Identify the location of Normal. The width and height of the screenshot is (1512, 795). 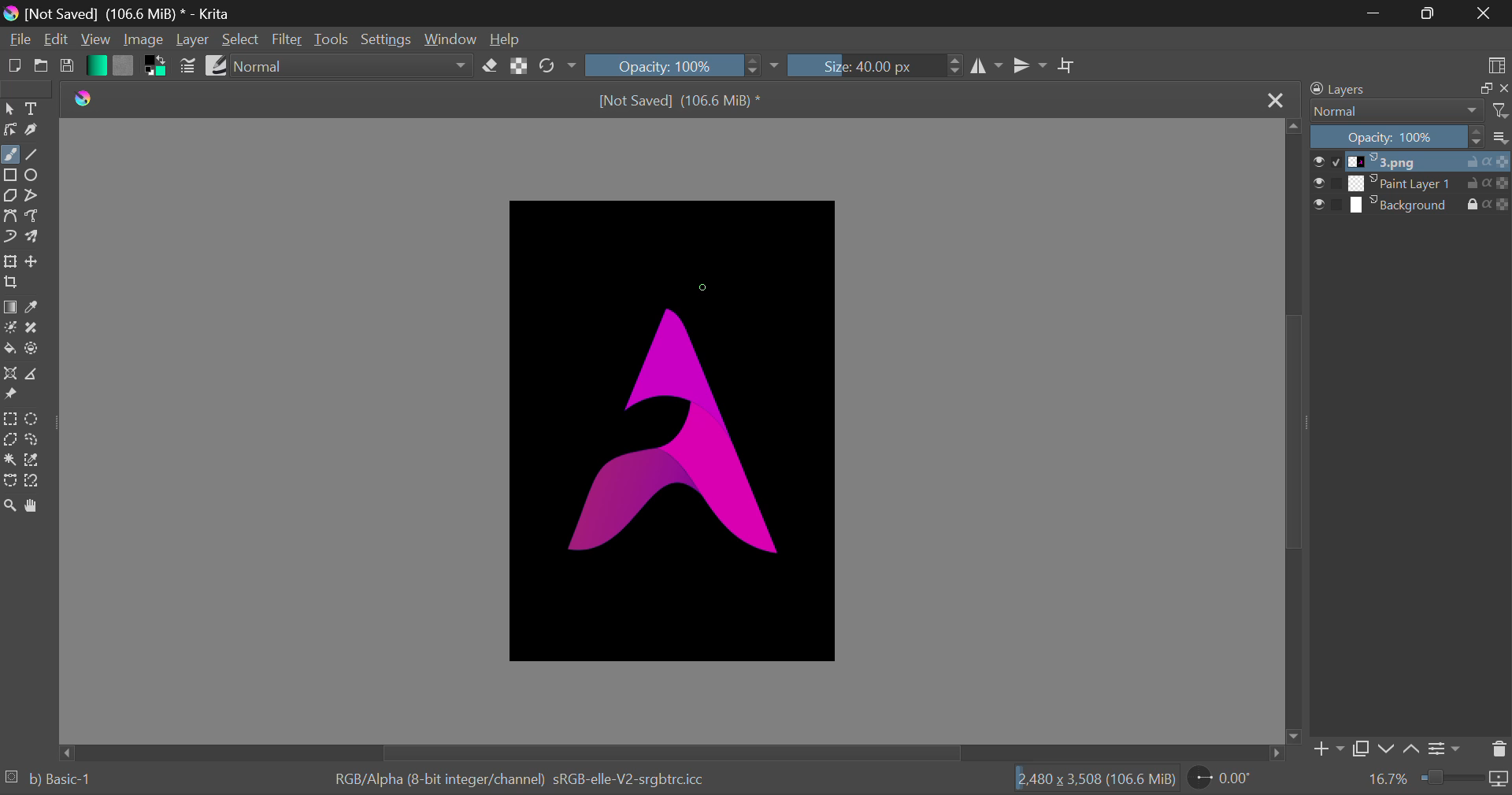
(1394, 112).